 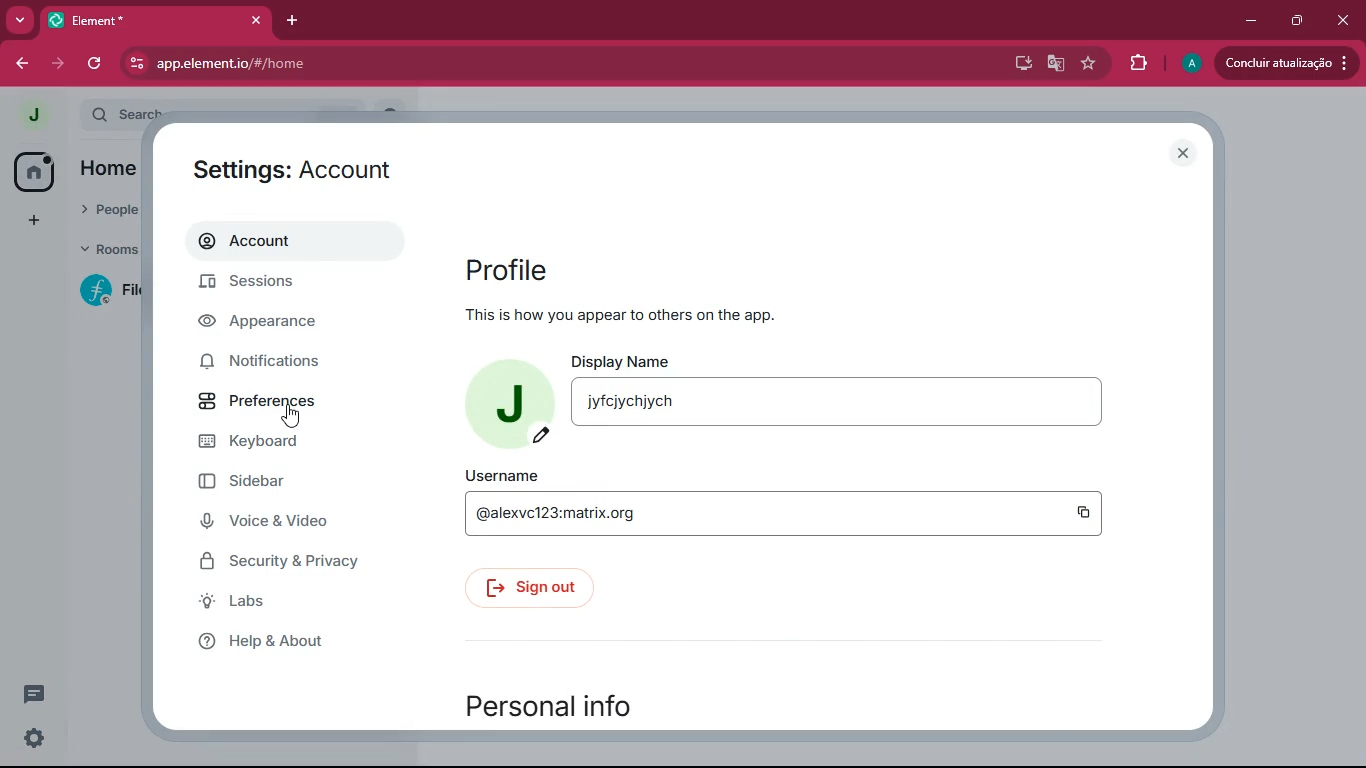 What do you see at coordinates (280, 322) in the screenshot?
I see `appearance` at bounding box center [280, 322].